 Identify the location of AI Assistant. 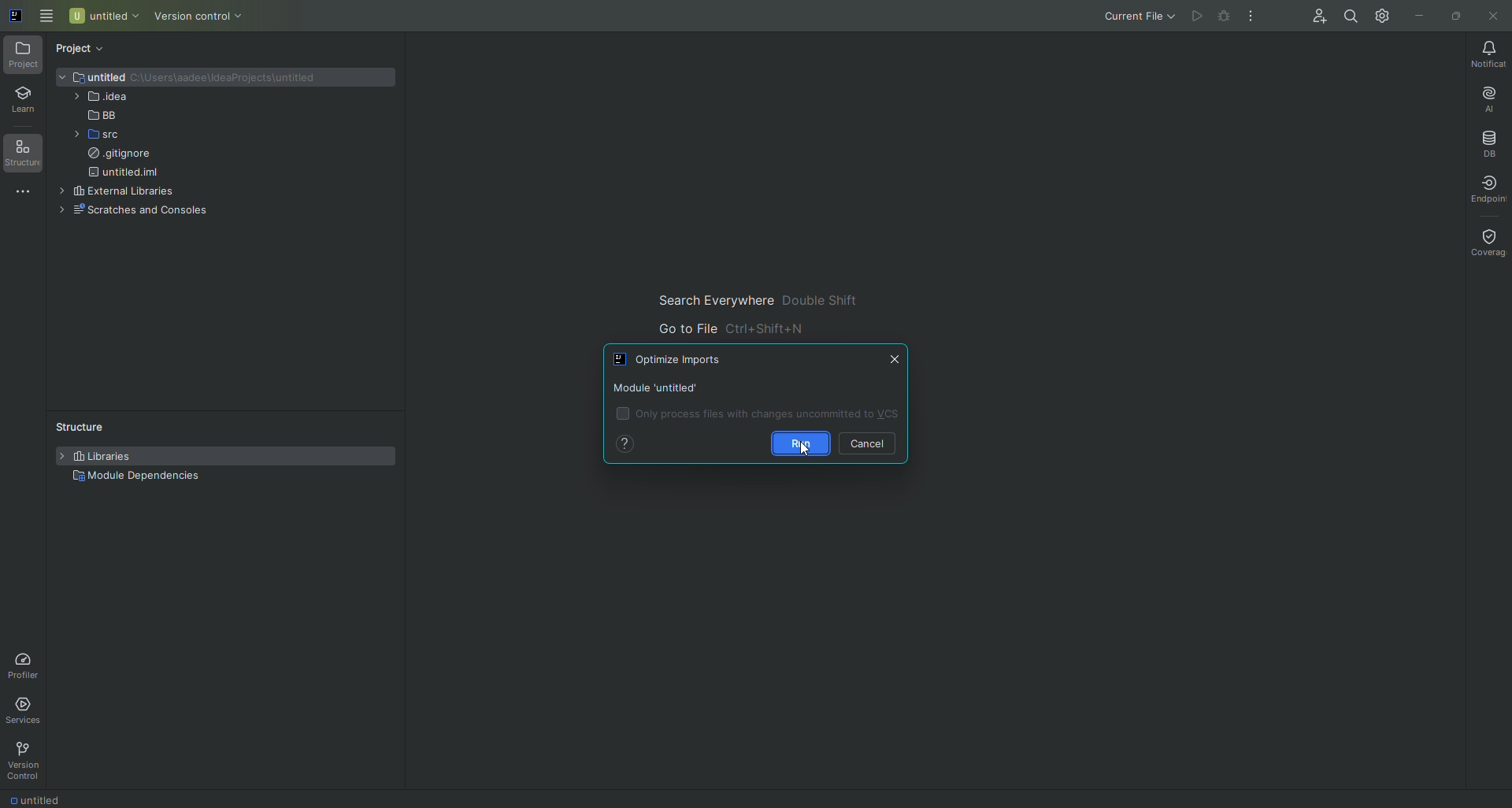
(1478, 98).